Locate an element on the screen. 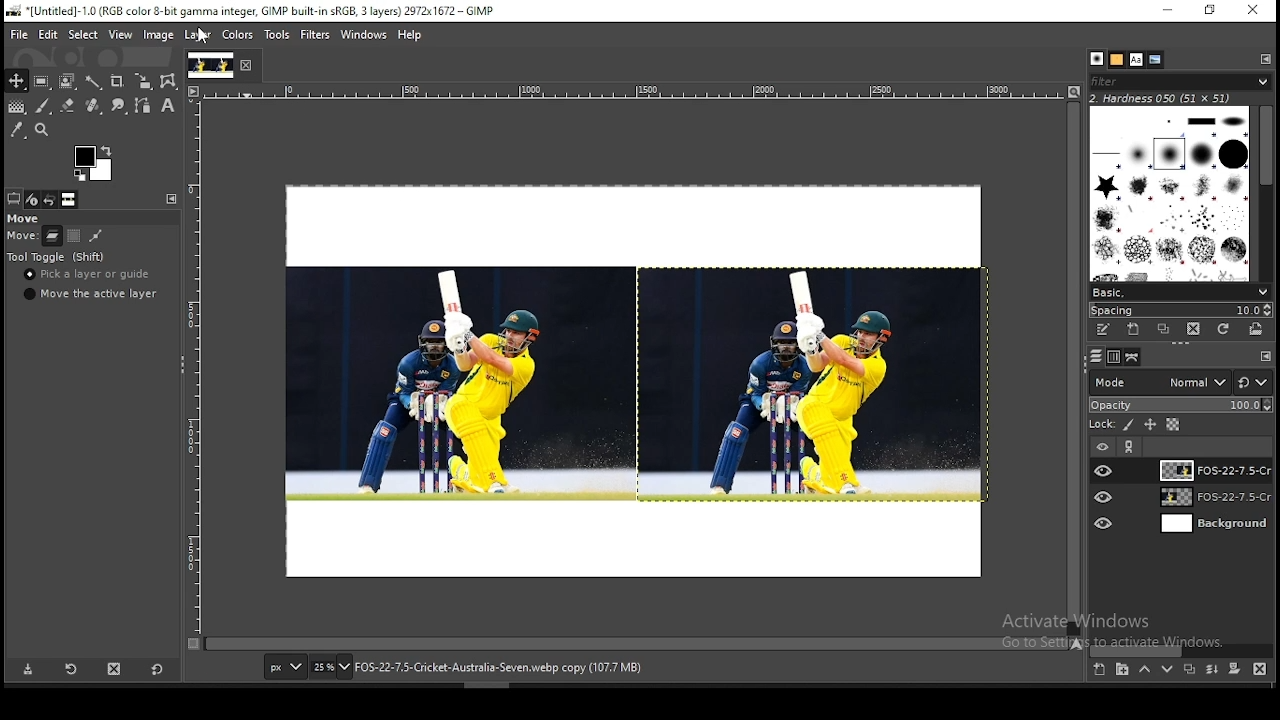  refresh brushes is located at coordinates (1225, 329).